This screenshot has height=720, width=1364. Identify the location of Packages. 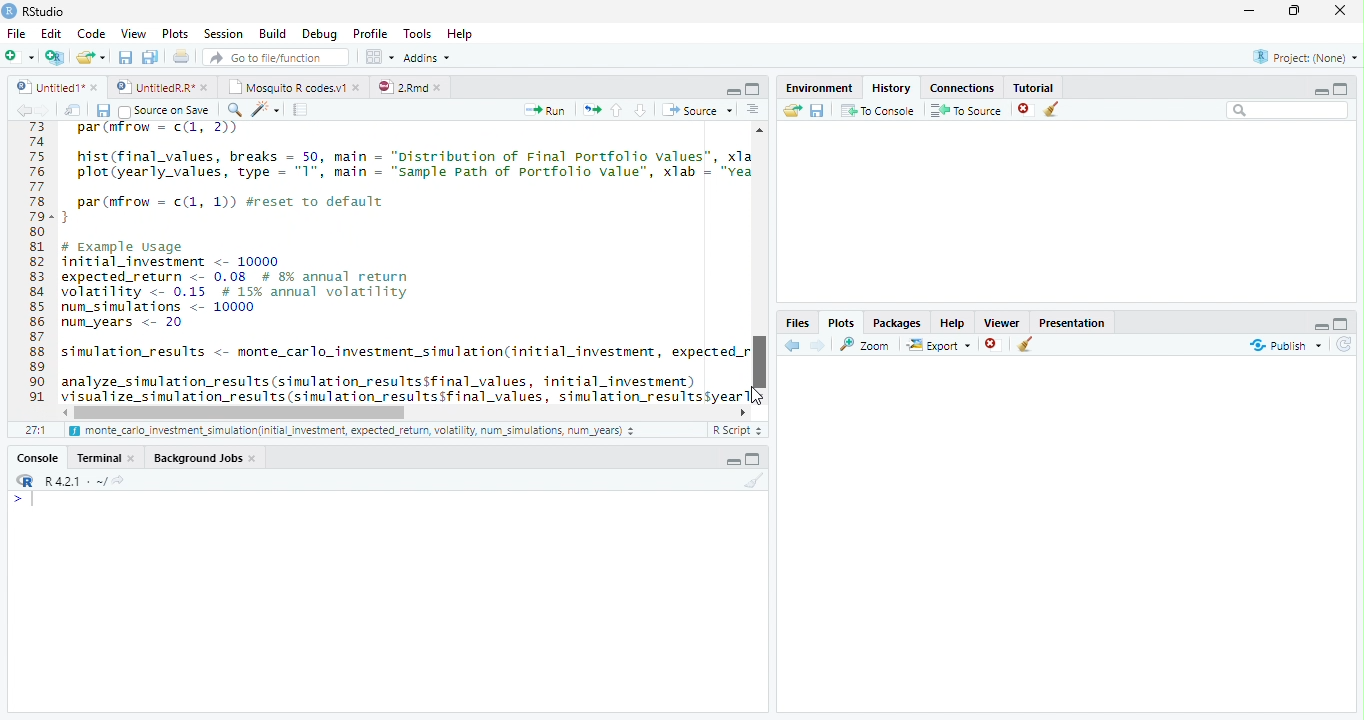
(896, 321).